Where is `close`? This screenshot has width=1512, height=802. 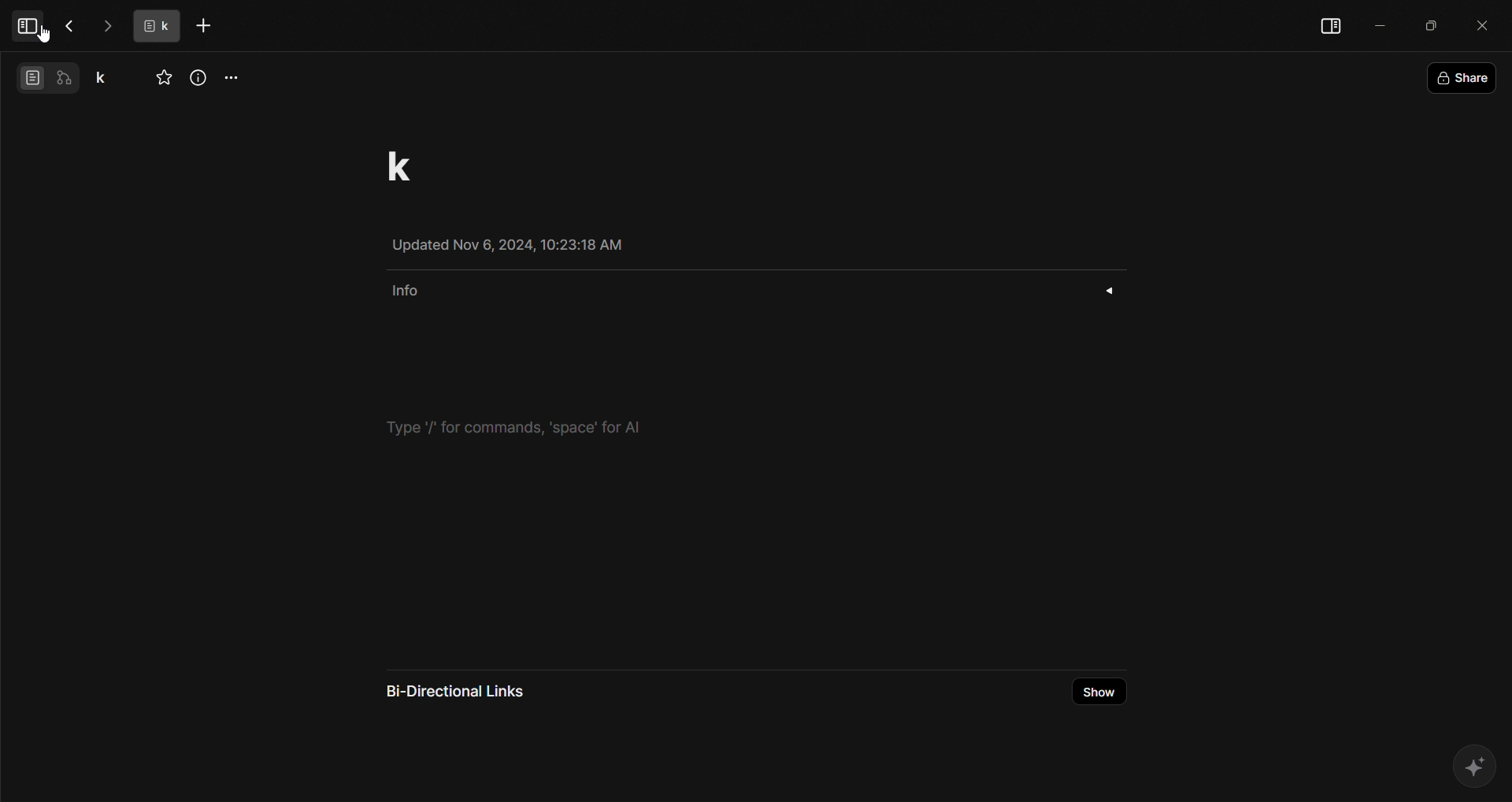
close is located at coordinates (1480, 23).